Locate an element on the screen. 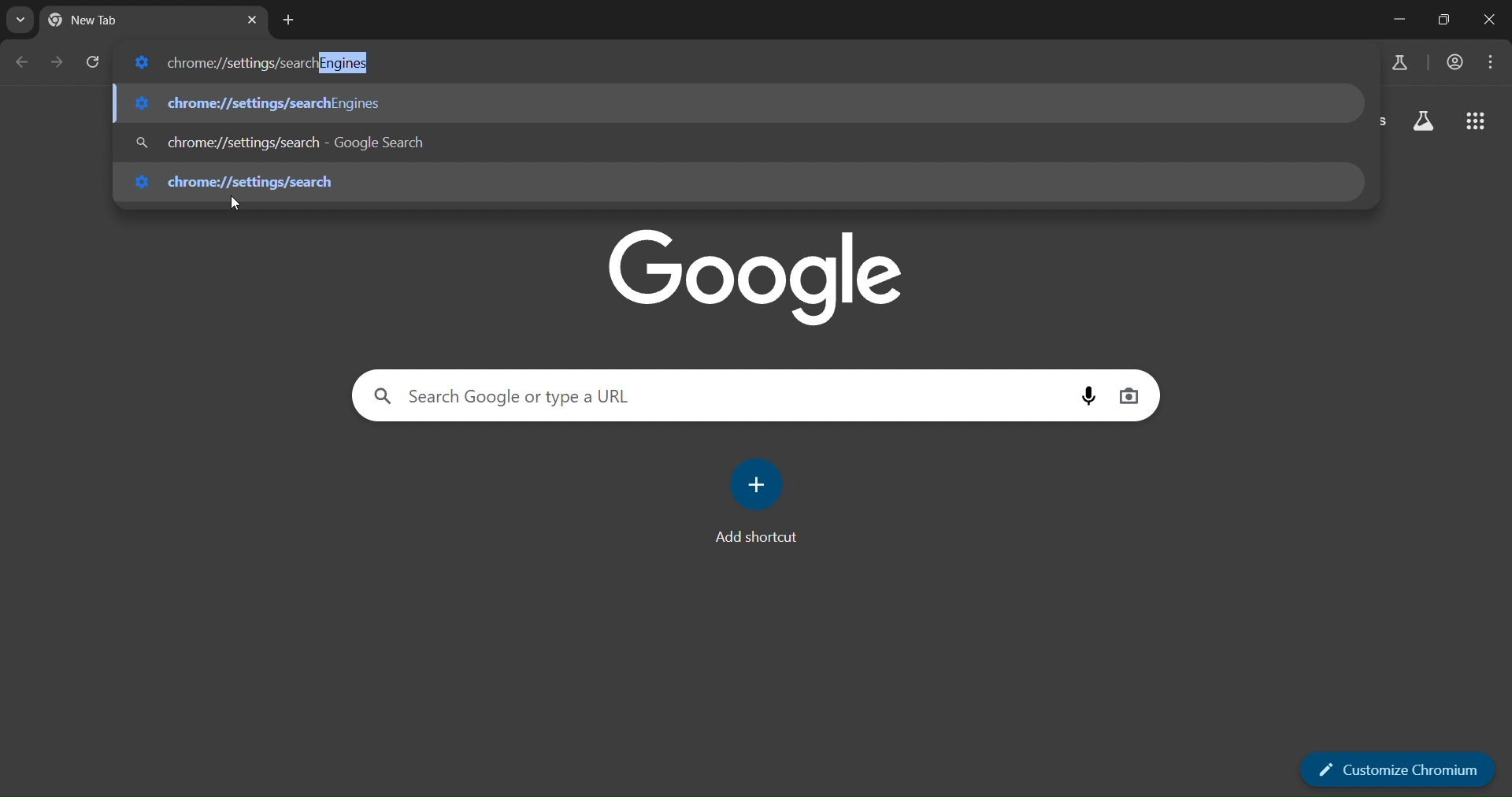  search labs is located at coordinates (1425, 119).